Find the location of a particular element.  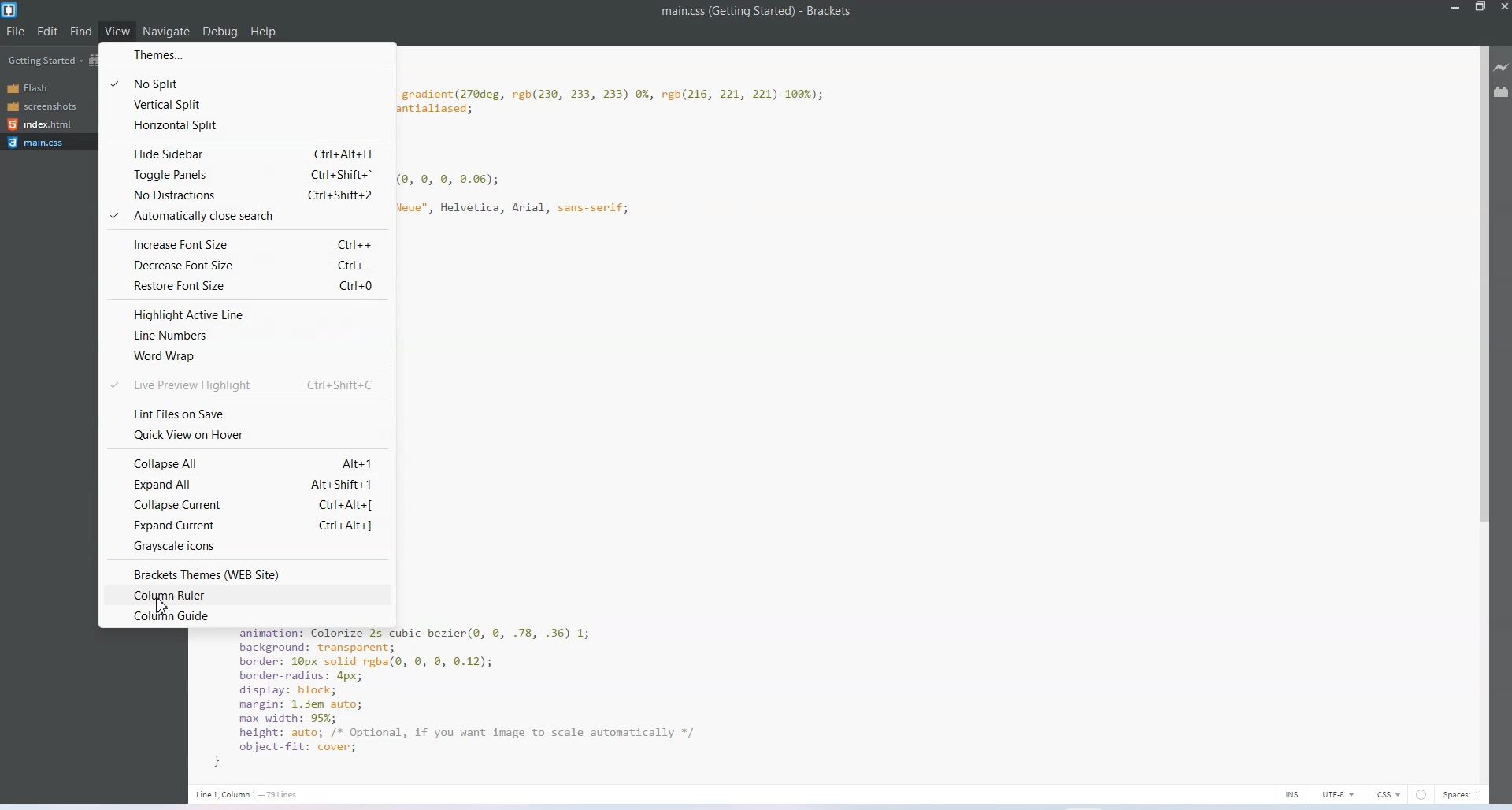

Close is located at coordinates (1503, 7).